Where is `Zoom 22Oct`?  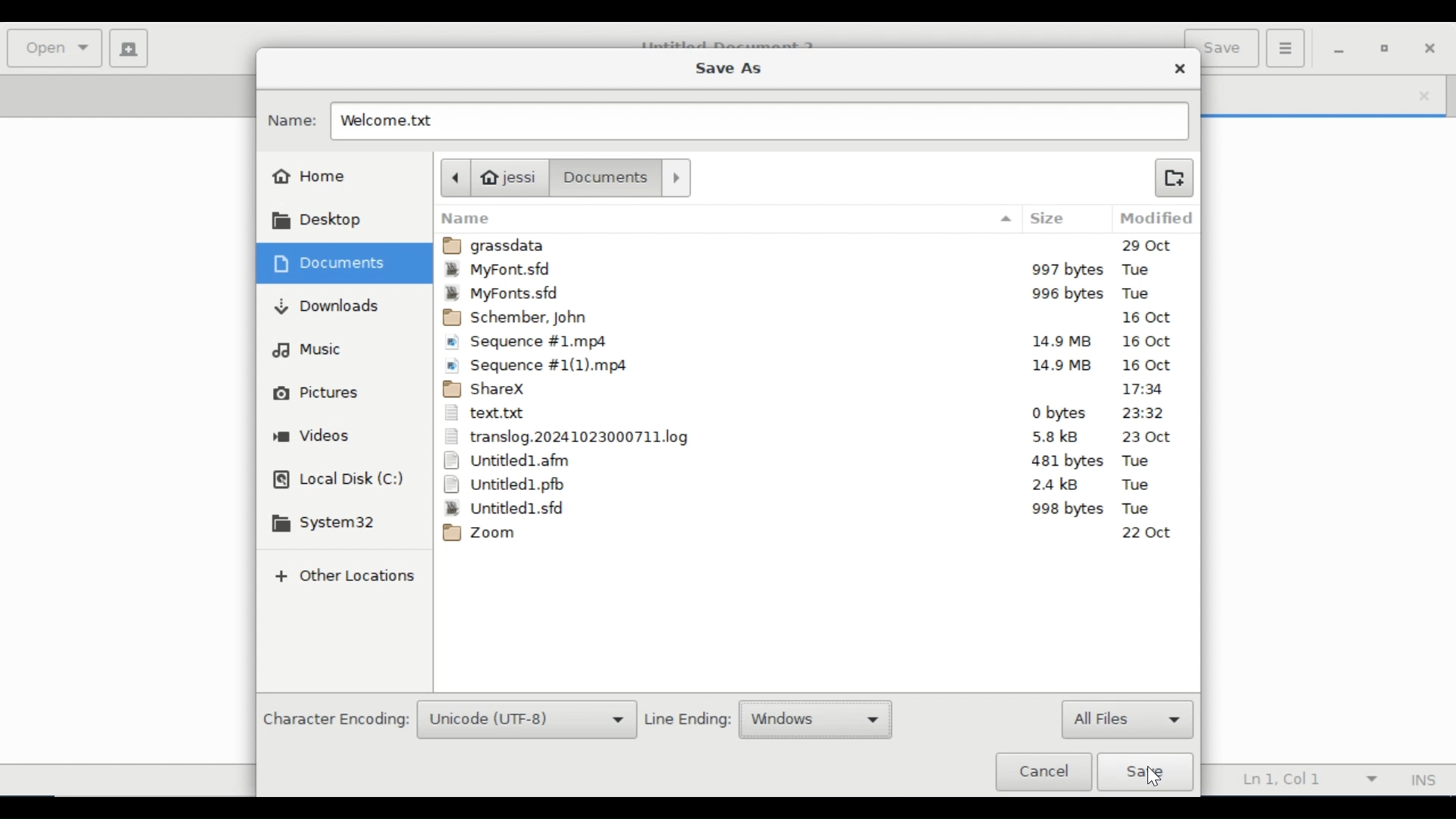 Zoom 22Oct is located at coordinates (810, 533).